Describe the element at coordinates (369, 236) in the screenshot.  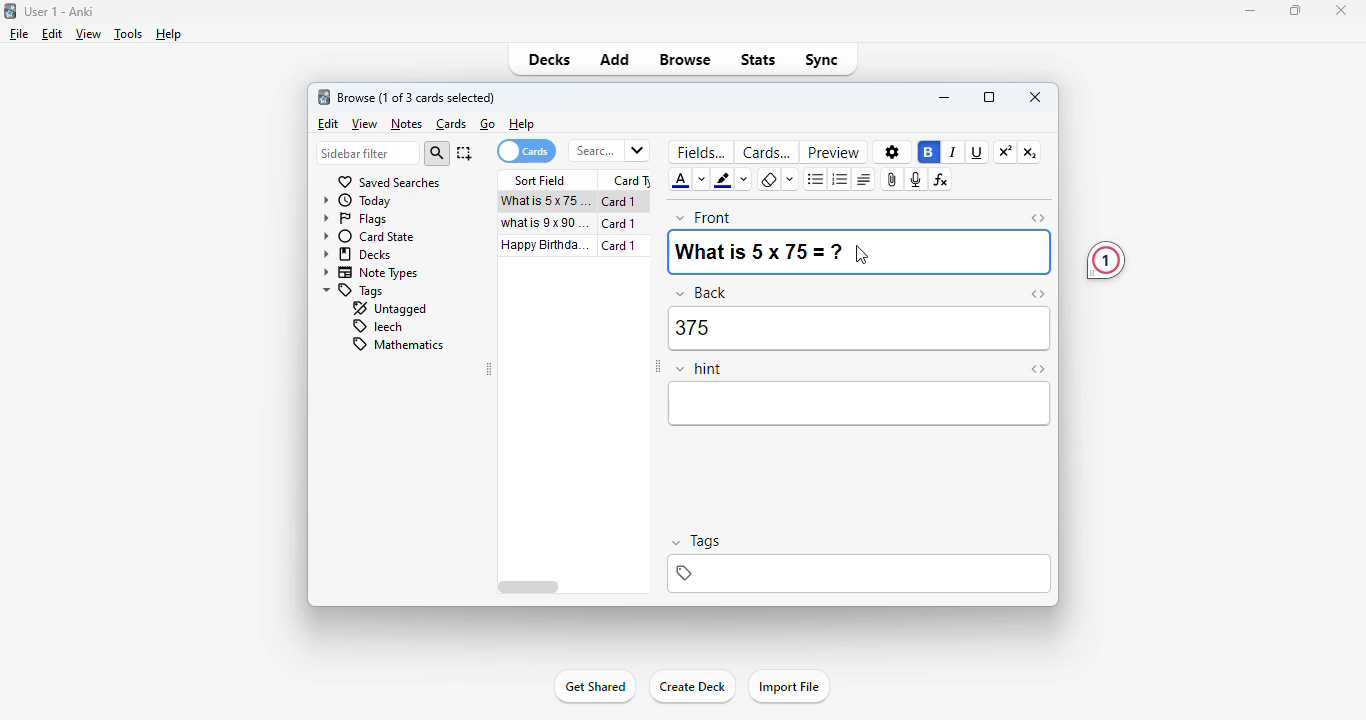
I see `card state` at that location.